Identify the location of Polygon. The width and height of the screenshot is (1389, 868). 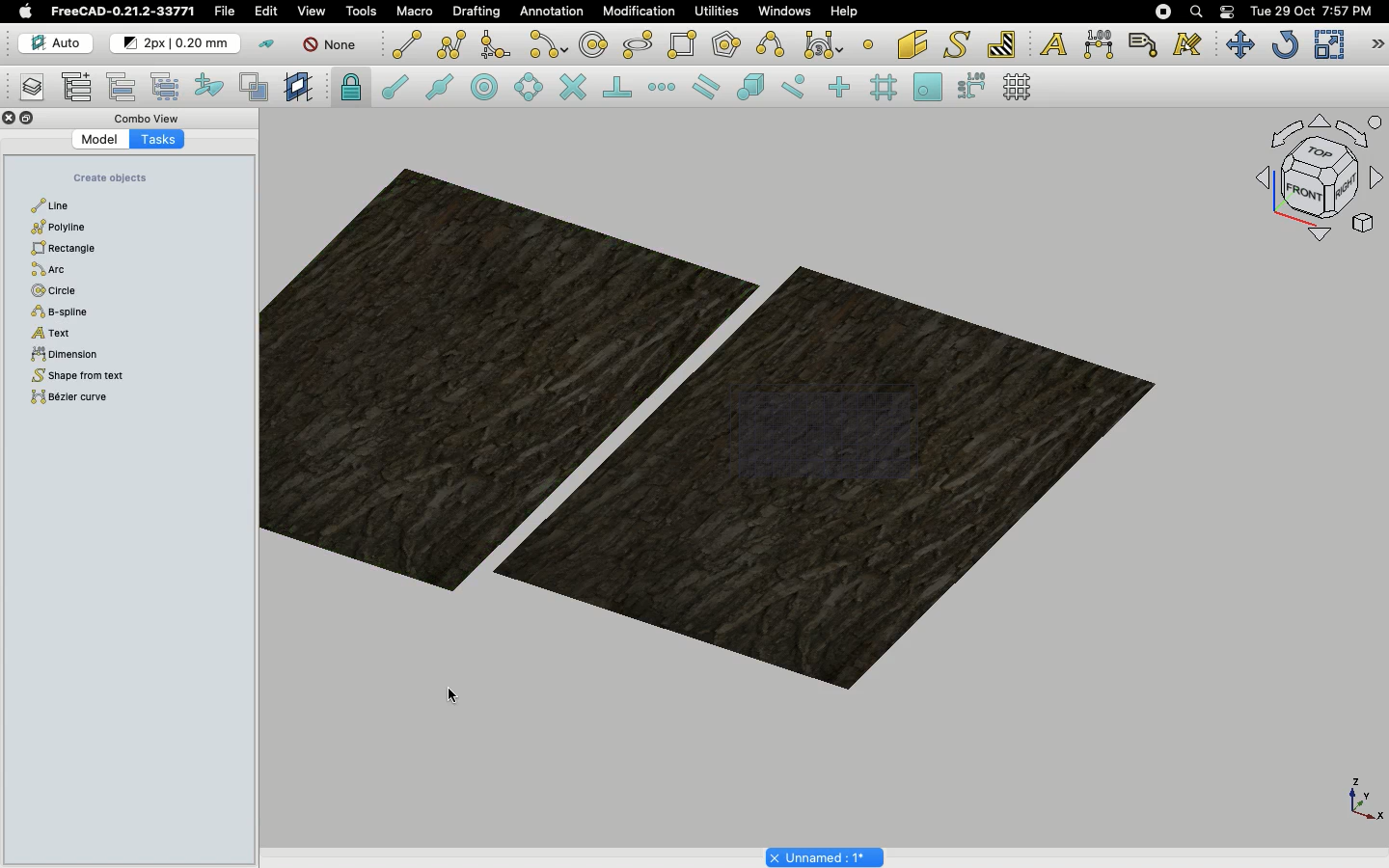
(728, 47).